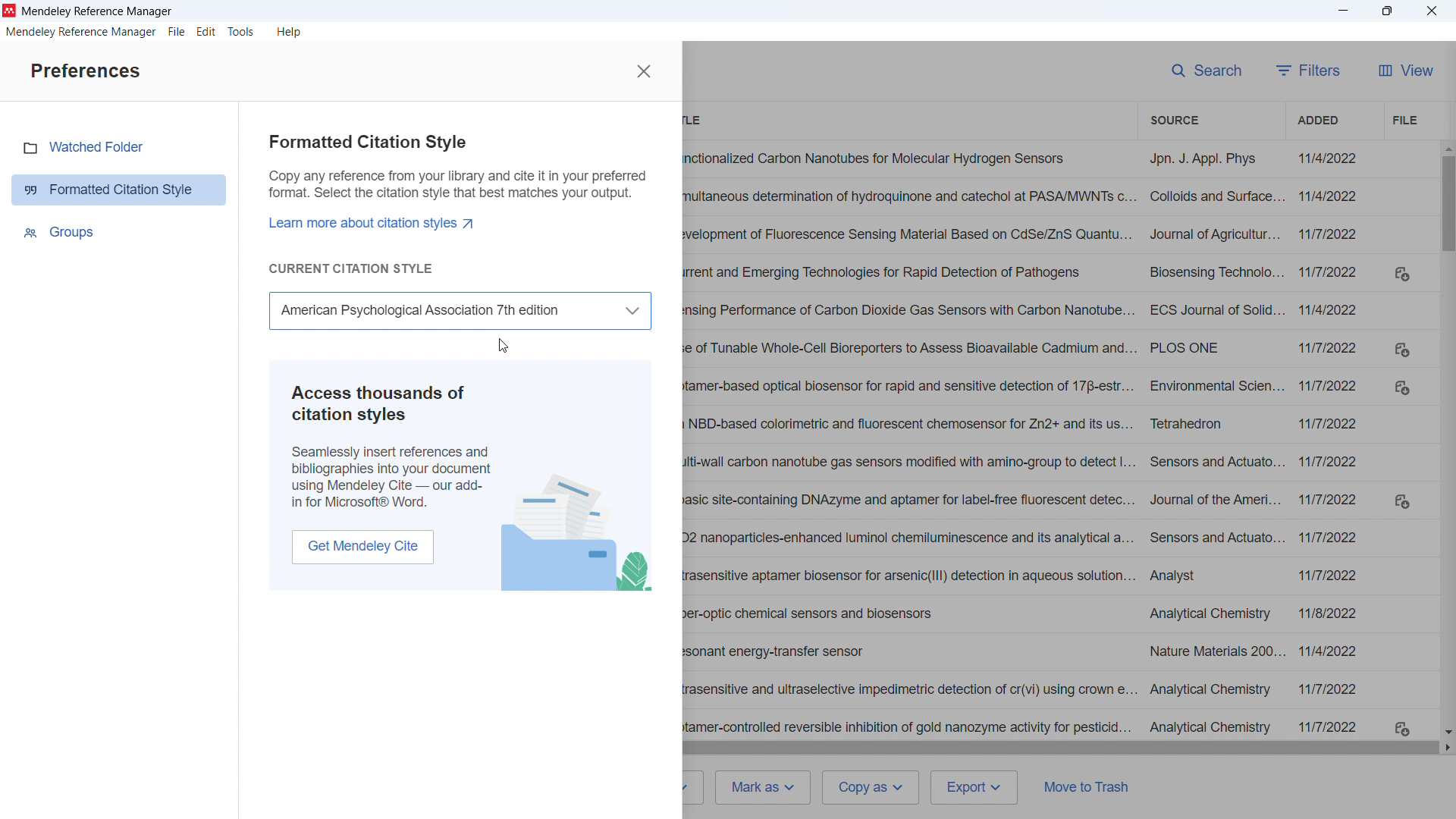 The height and width of the screenshot is (819, 1456). I want to click on Download links where Pdfs available, so click(1403, 501).